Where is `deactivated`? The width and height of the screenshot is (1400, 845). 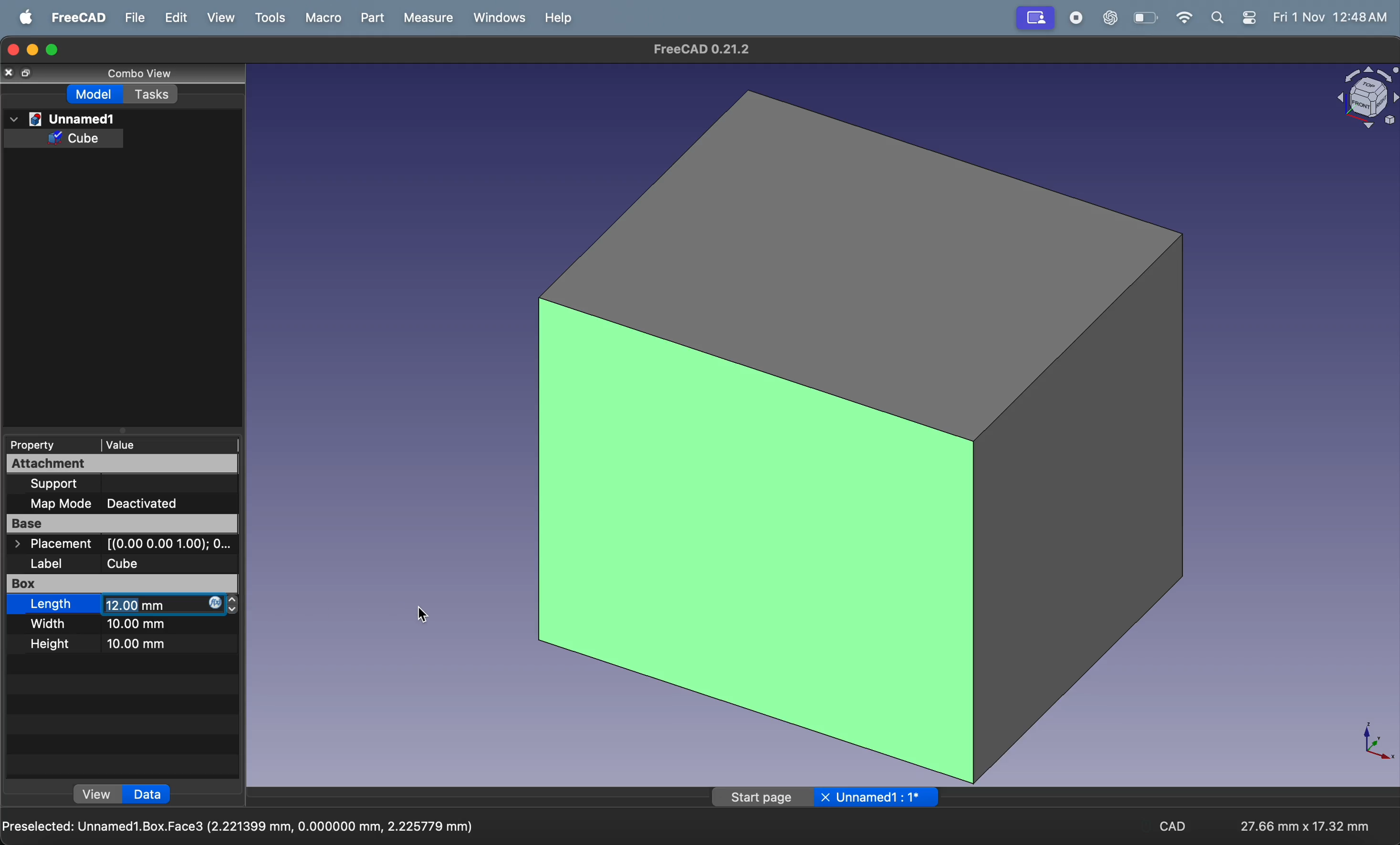 deactivated is located at coordinates (155, 502).